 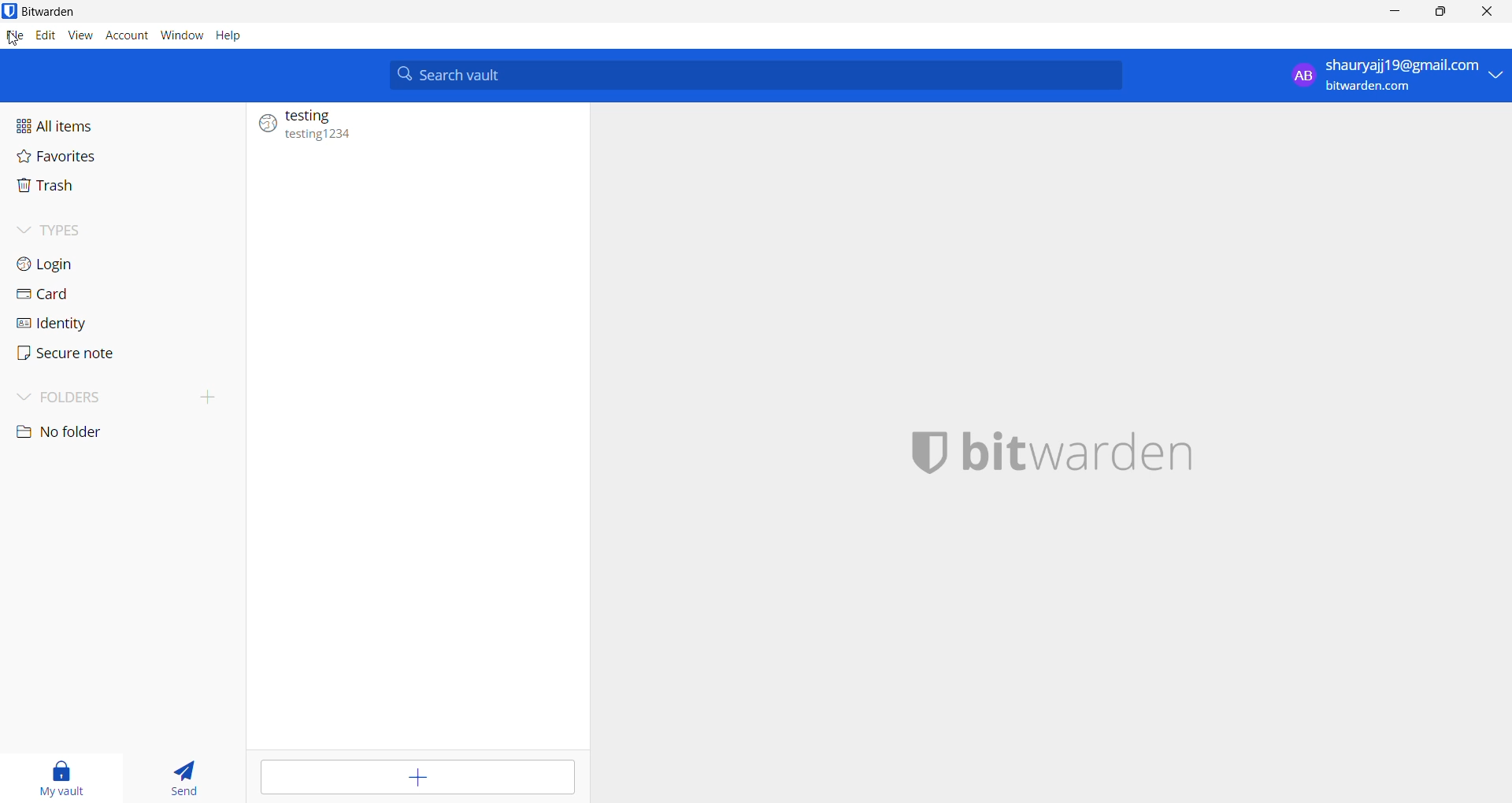 I want to click on login, so click(x=74, y=263).